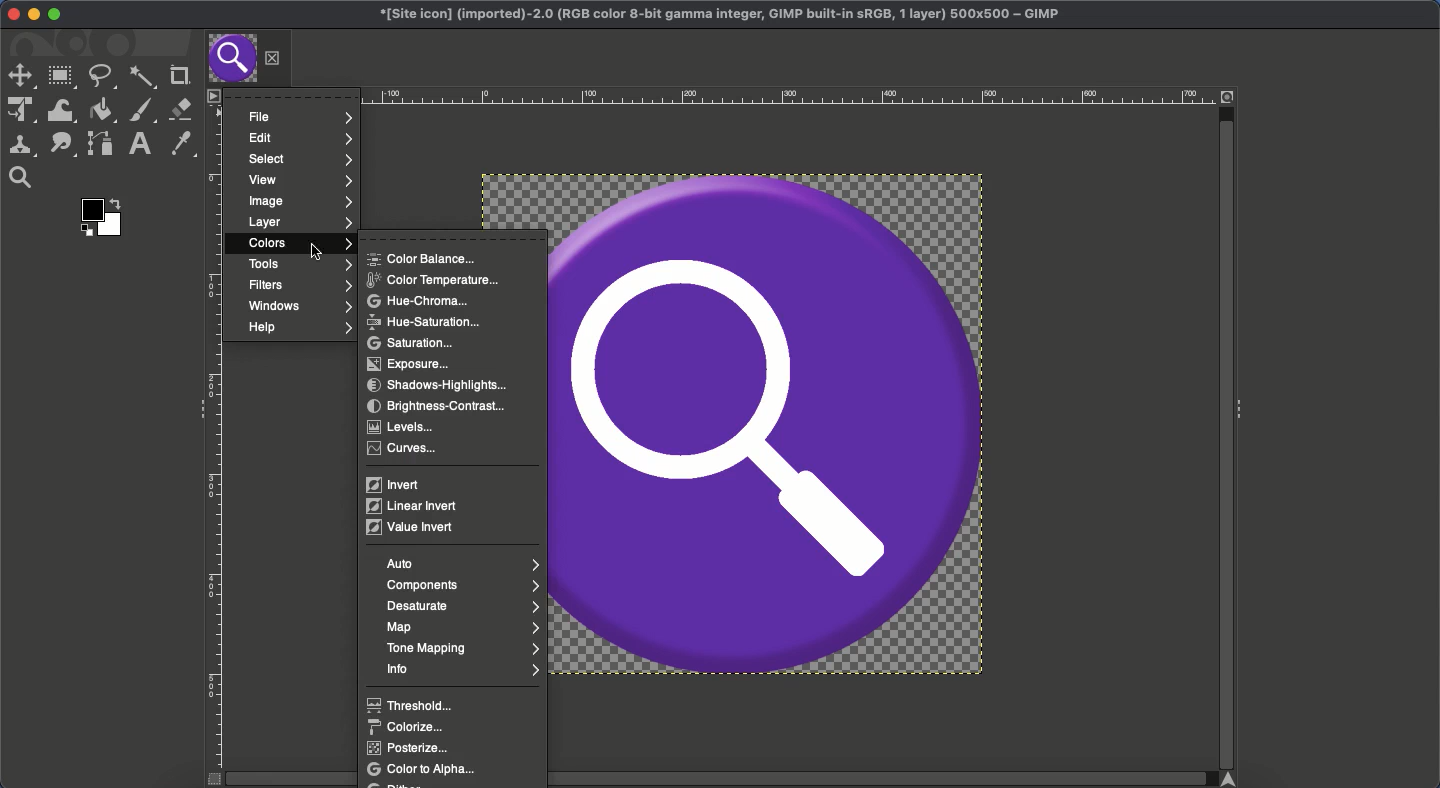  I want to click on Invert, so click(390, 486).